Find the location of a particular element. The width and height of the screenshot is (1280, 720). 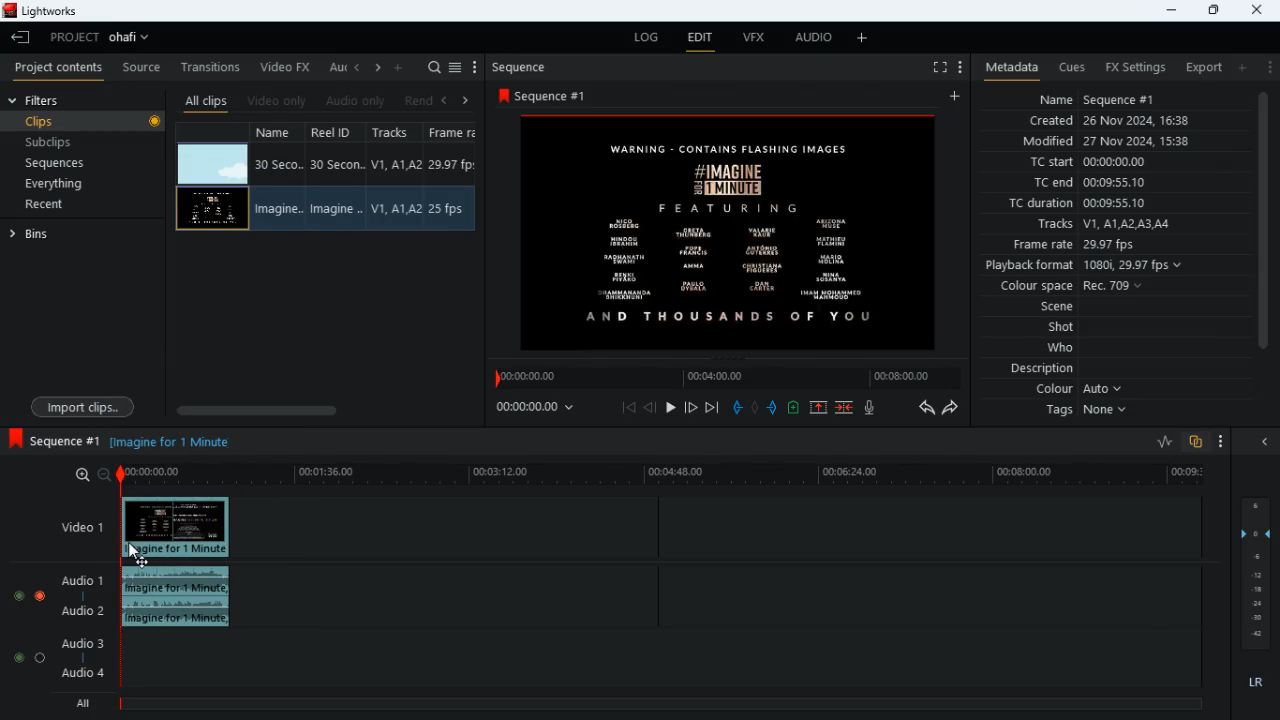

colour is located at coordinates (1070, 389).